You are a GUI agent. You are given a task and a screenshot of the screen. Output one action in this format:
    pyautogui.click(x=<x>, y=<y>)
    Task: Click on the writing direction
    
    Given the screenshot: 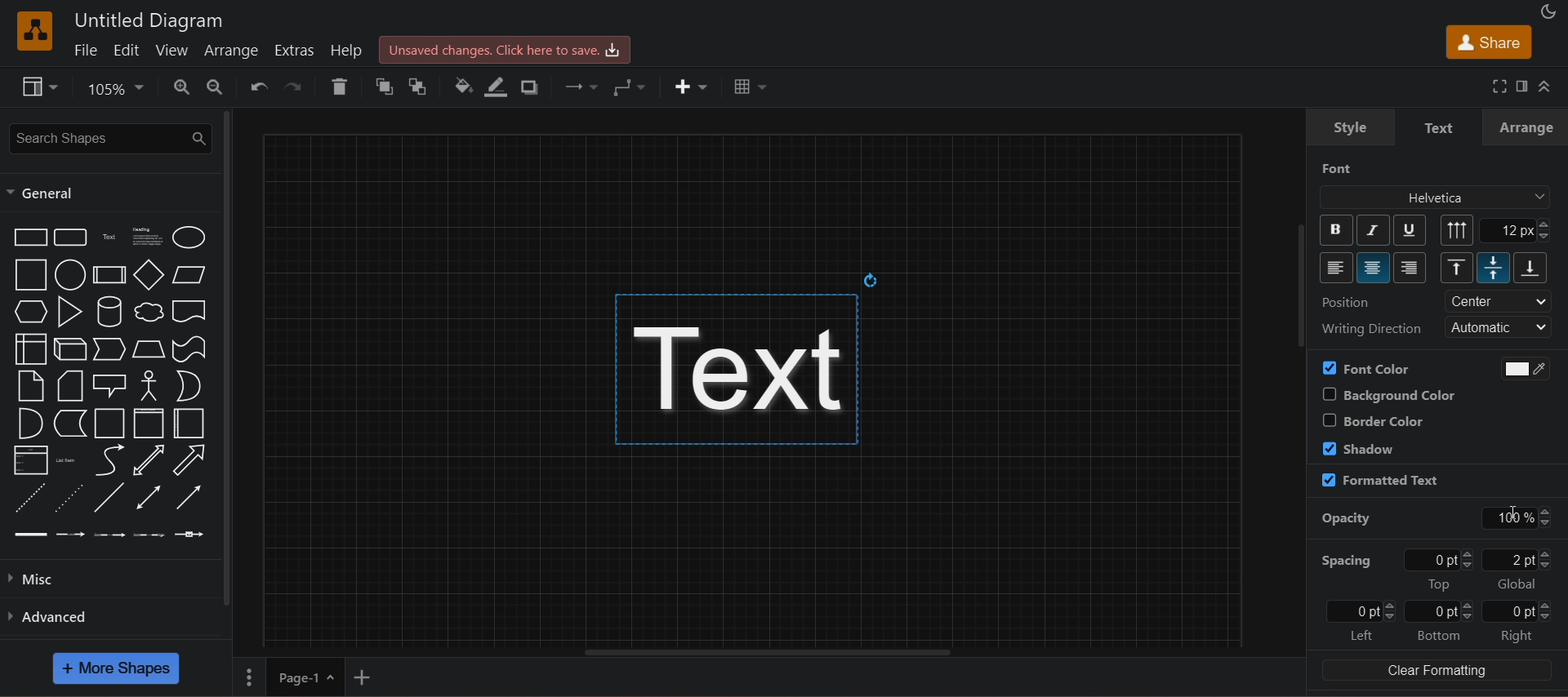 What is the action you would take?
    pyautogui.click(x=1370, y=328)
    